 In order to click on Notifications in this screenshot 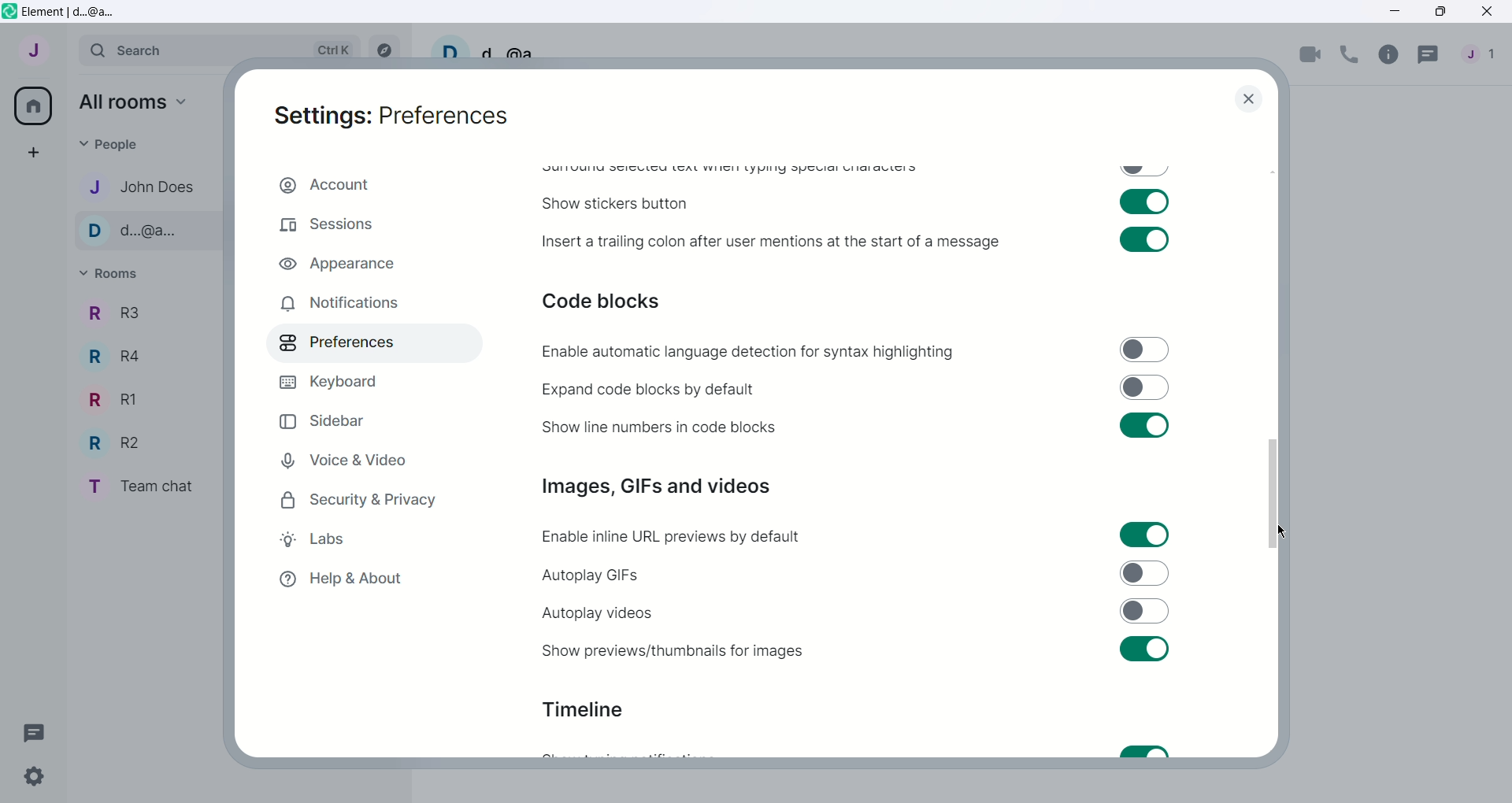, I will do `click(361, 303)`.